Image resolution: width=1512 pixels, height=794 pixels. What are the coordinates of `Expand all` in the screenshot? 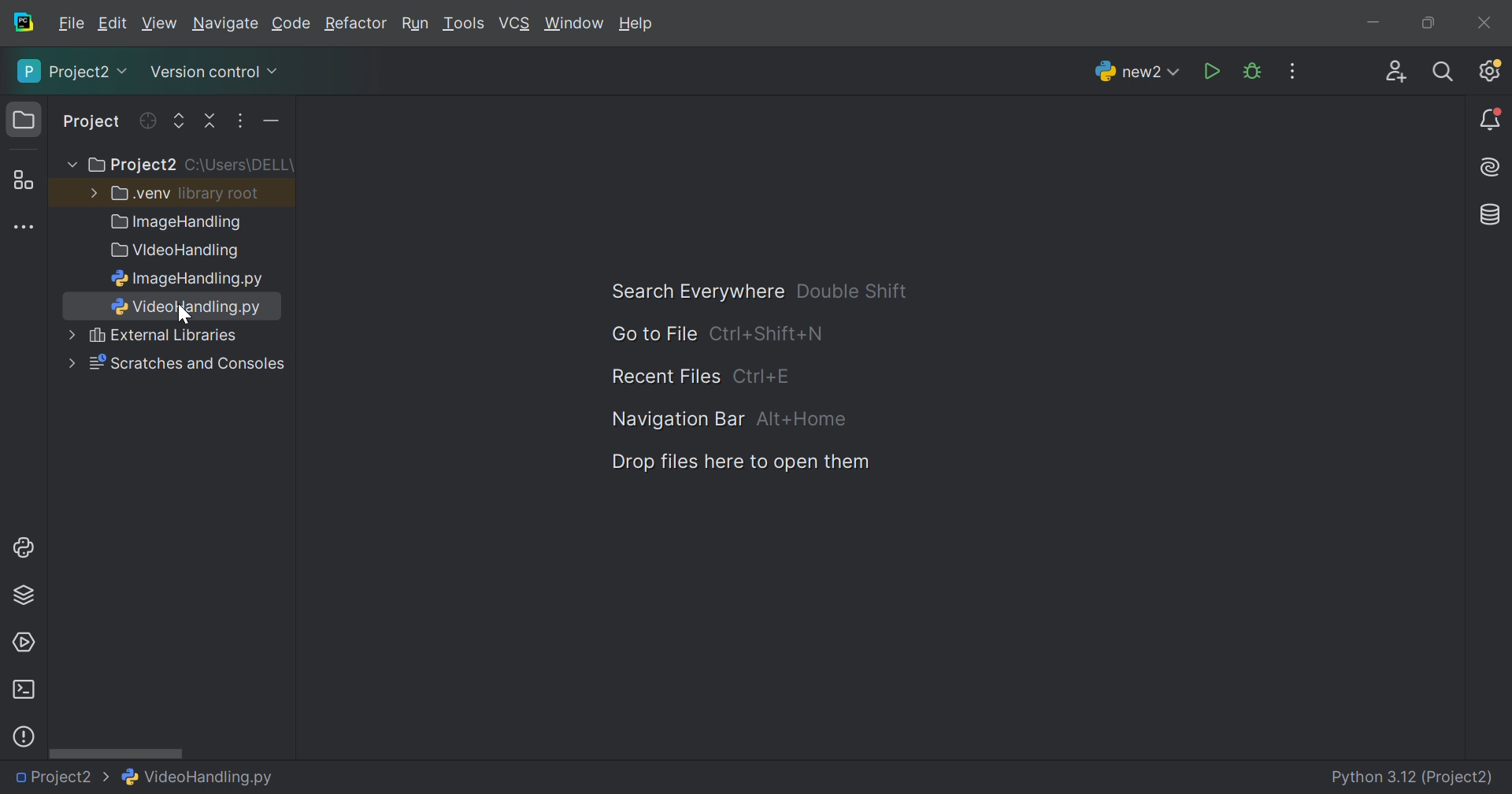 It's located at (180, 122).